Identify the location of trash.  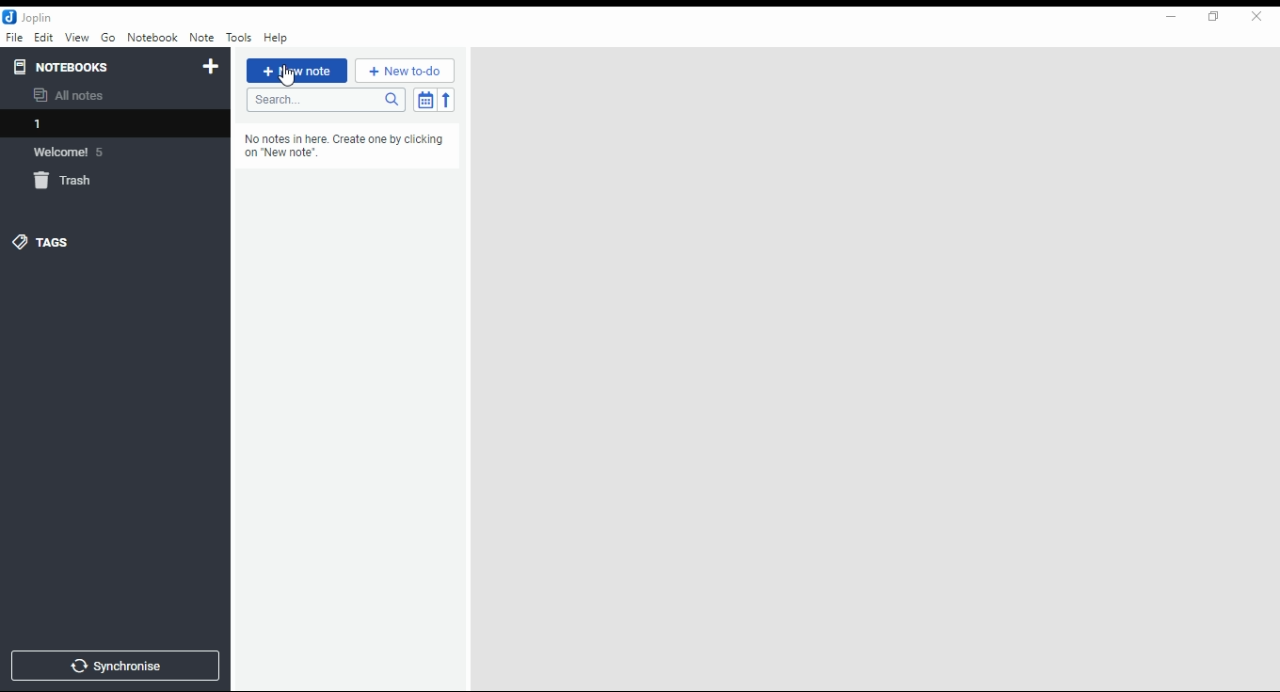
(64, 180).